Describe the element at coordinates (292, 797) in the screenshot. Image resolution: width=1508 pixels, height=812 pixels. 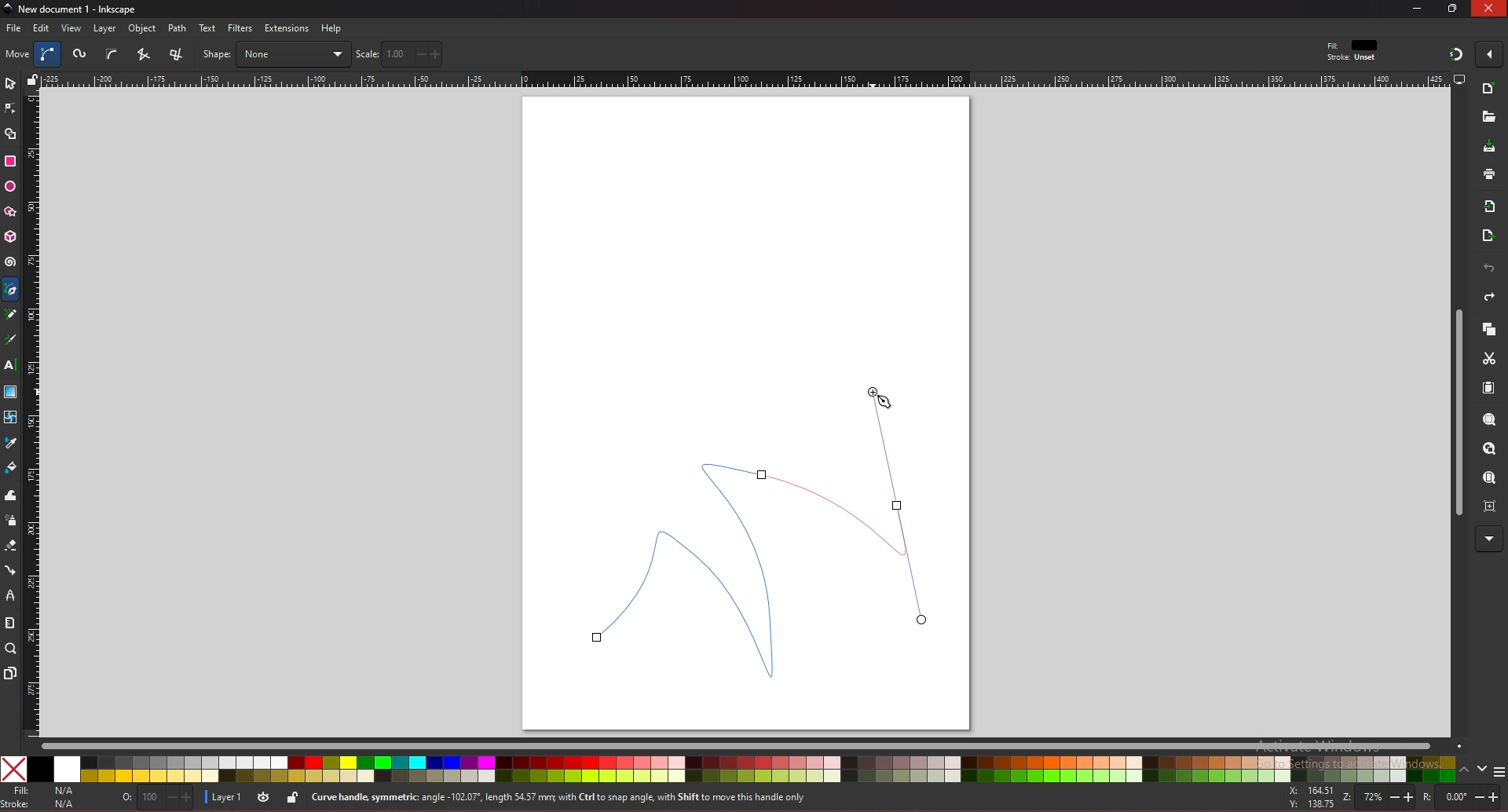
I see `lock` at that location.